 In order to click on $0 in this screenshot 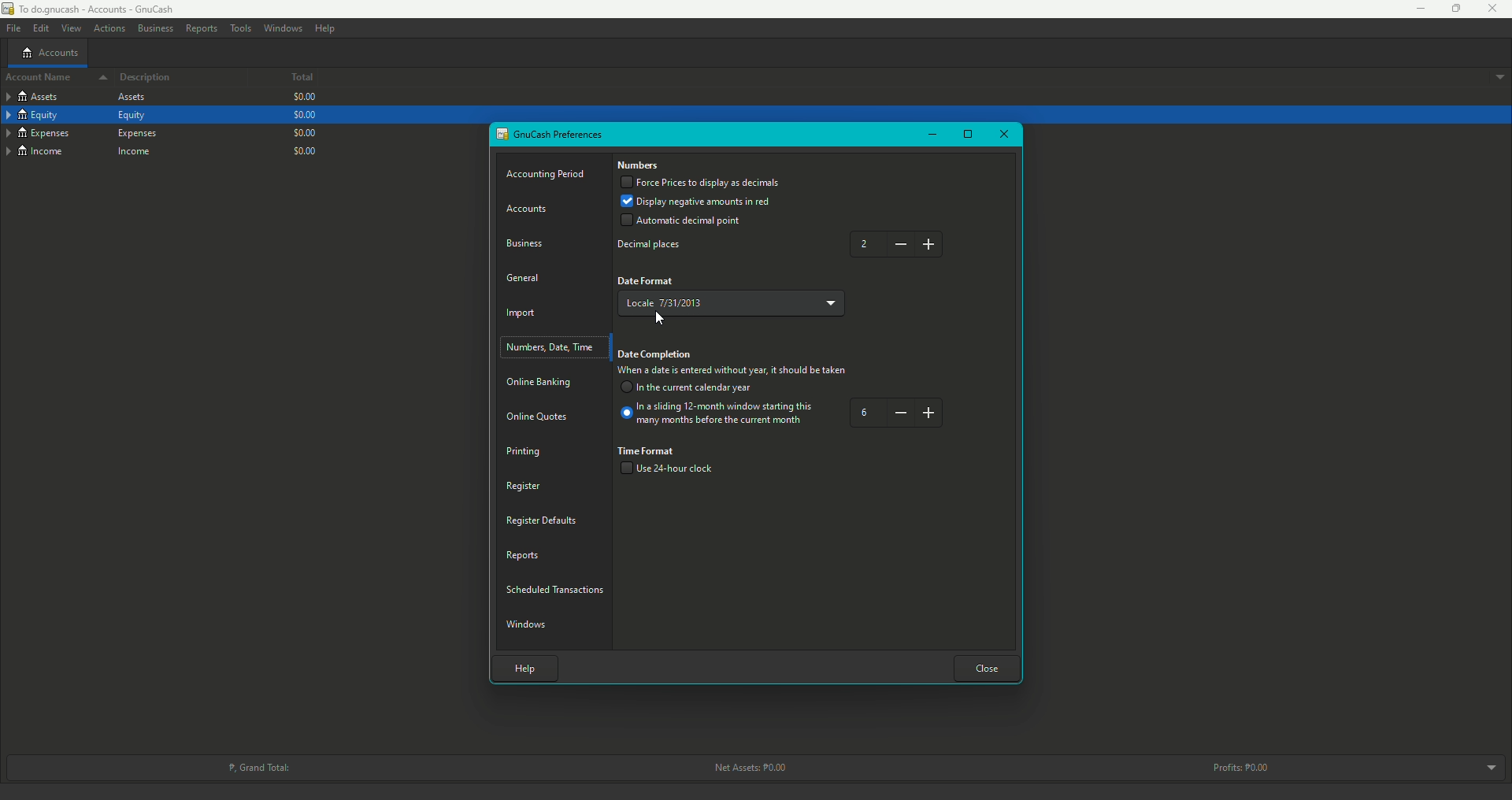, I will do `click(303, 131)`.